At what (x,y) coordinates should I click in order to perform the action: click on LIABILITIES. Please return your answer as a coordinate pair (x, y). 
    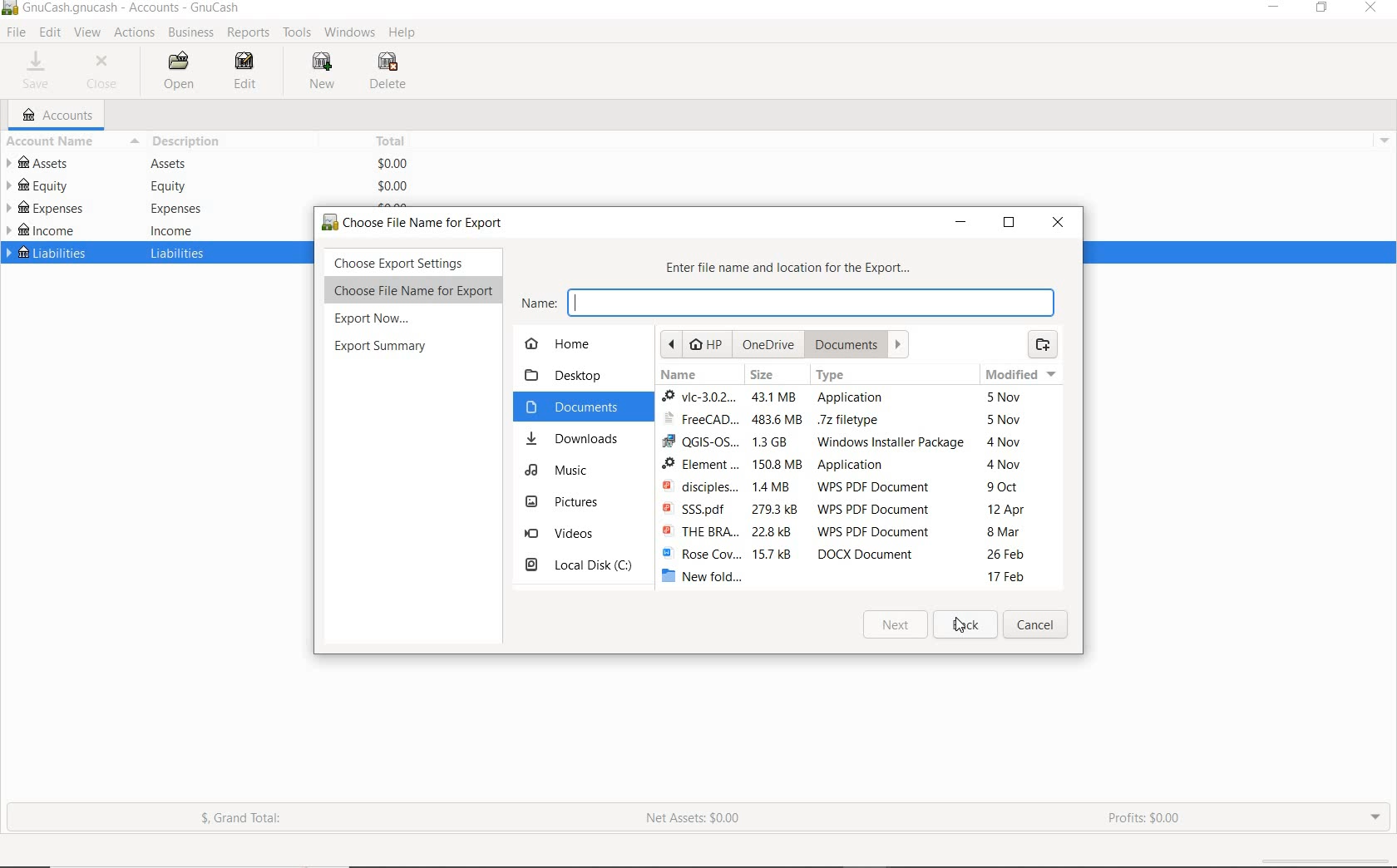
    Looking at the image, I should click on (46, 255).